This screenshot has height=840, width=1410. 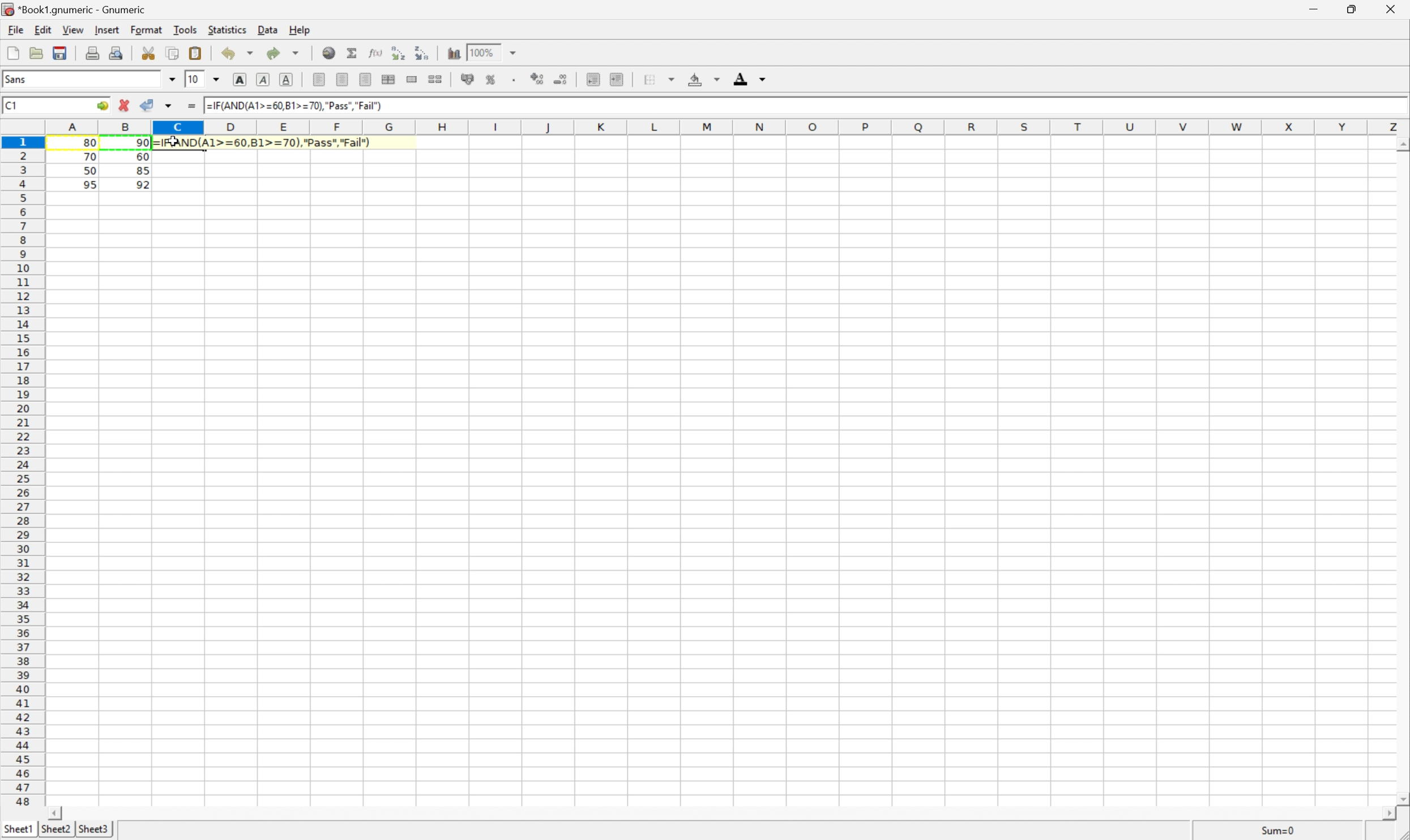 What do you see at coordinates (397, 53) in the screenshot?
I see `Sort the selected region in ascending order based on the first column selected` at bounding box center [397, 53].